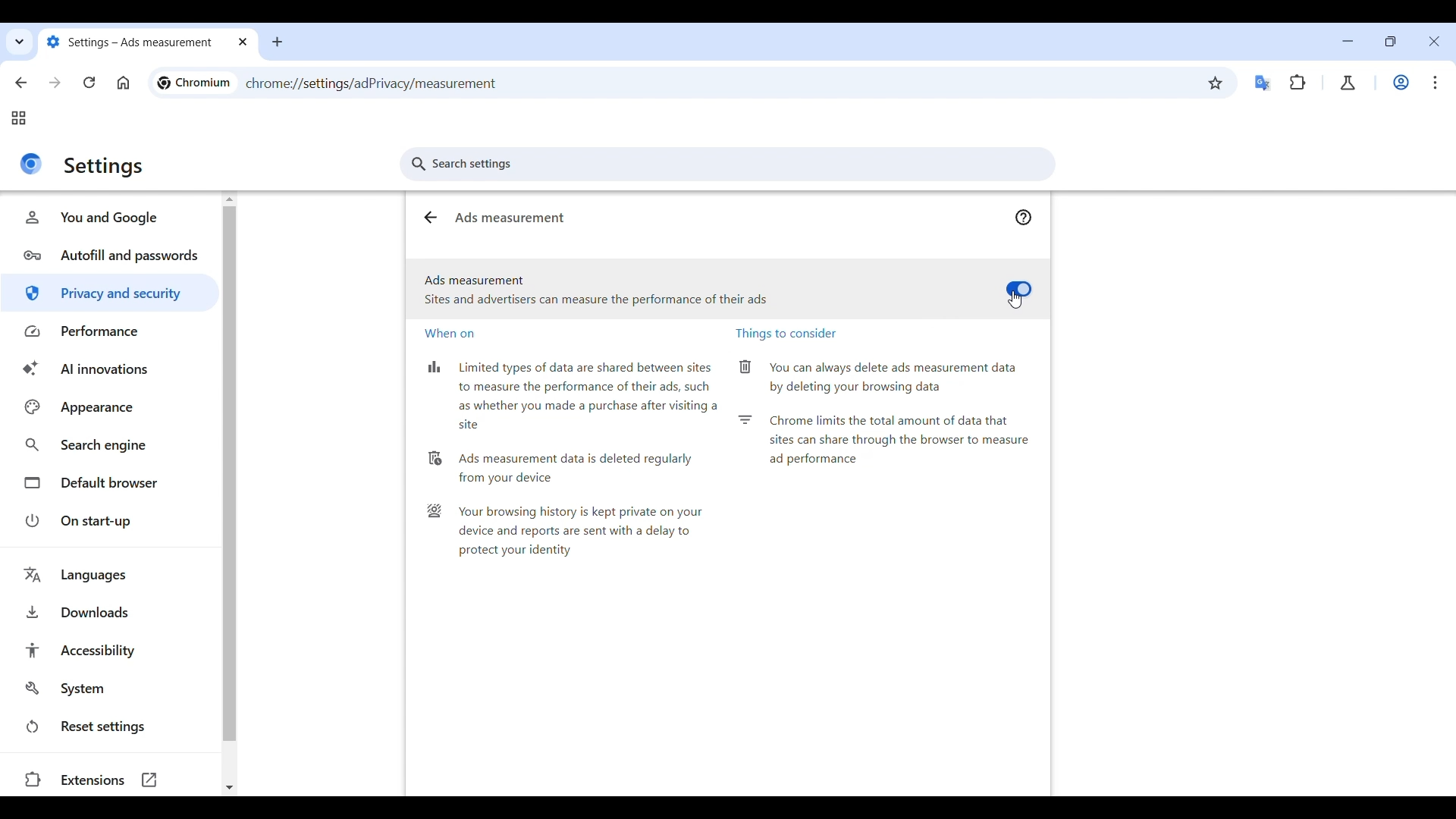  Describe the element at coordinates (230, 473) in the screenshot. I see `Vertical slide bar` at that location.